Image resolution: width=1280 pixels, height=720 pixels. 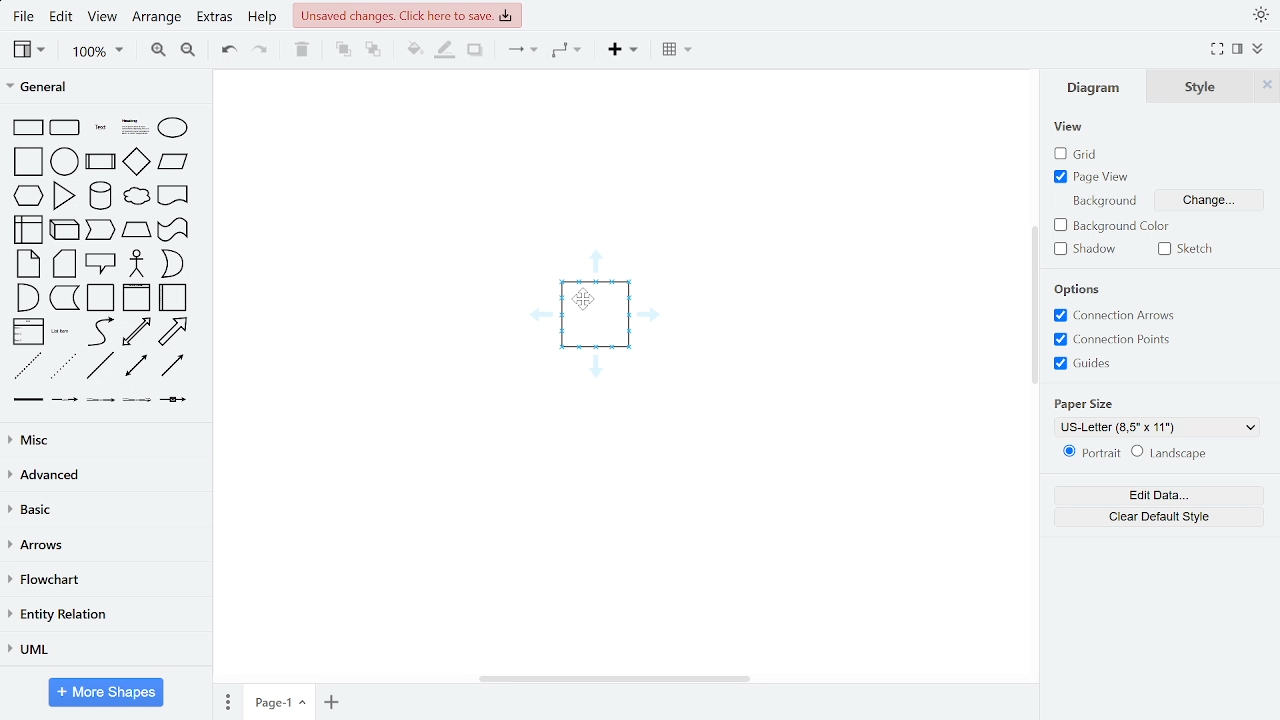 I want to click on insert, so click(x=621, y=51).